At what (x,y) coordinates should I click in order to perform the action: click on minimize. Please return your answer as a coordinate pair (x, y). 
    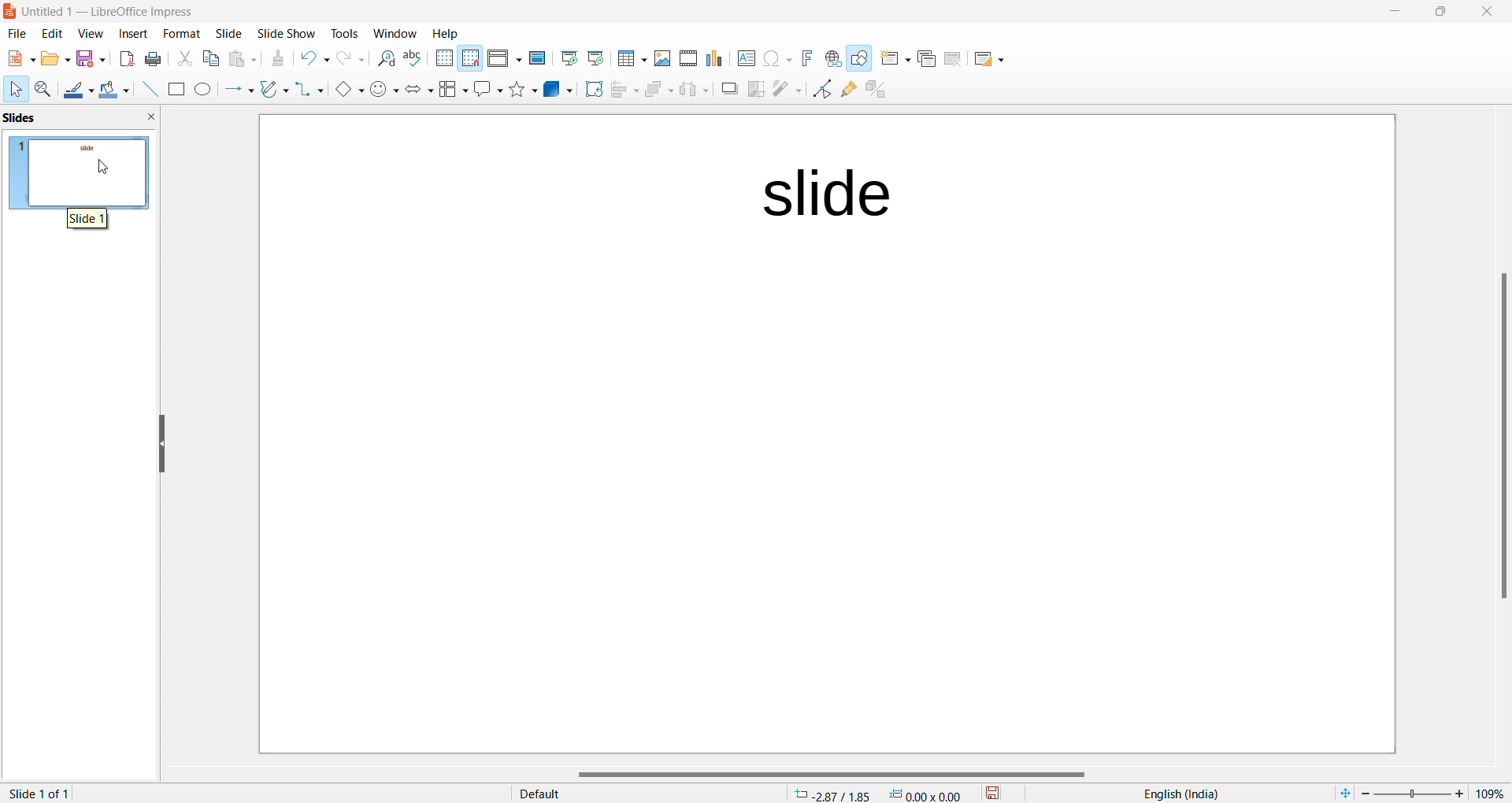
    Looking at the image, I should click on (1391, 13).